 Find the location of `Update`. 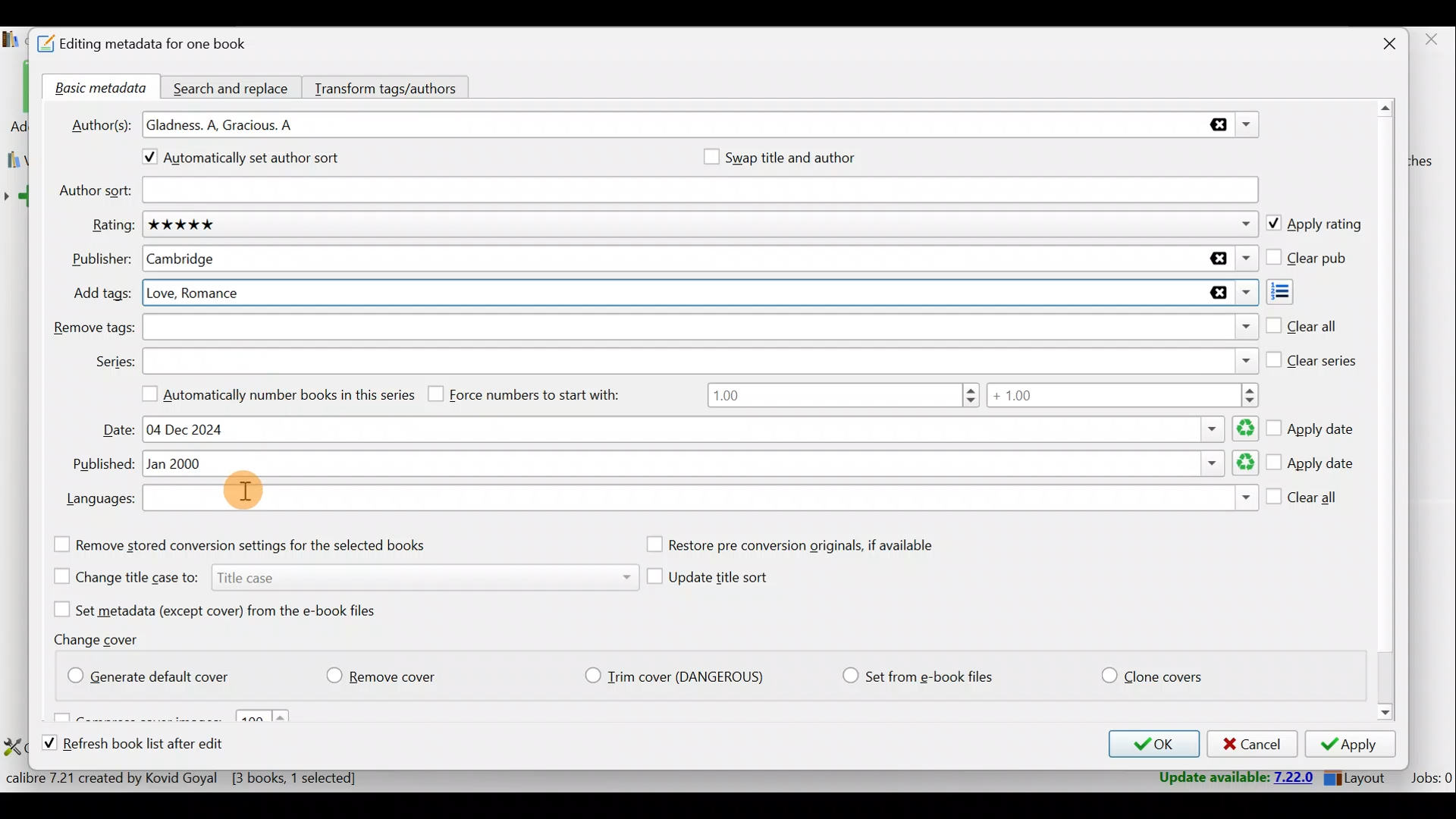

Update is located at coordinates (1234, 778).